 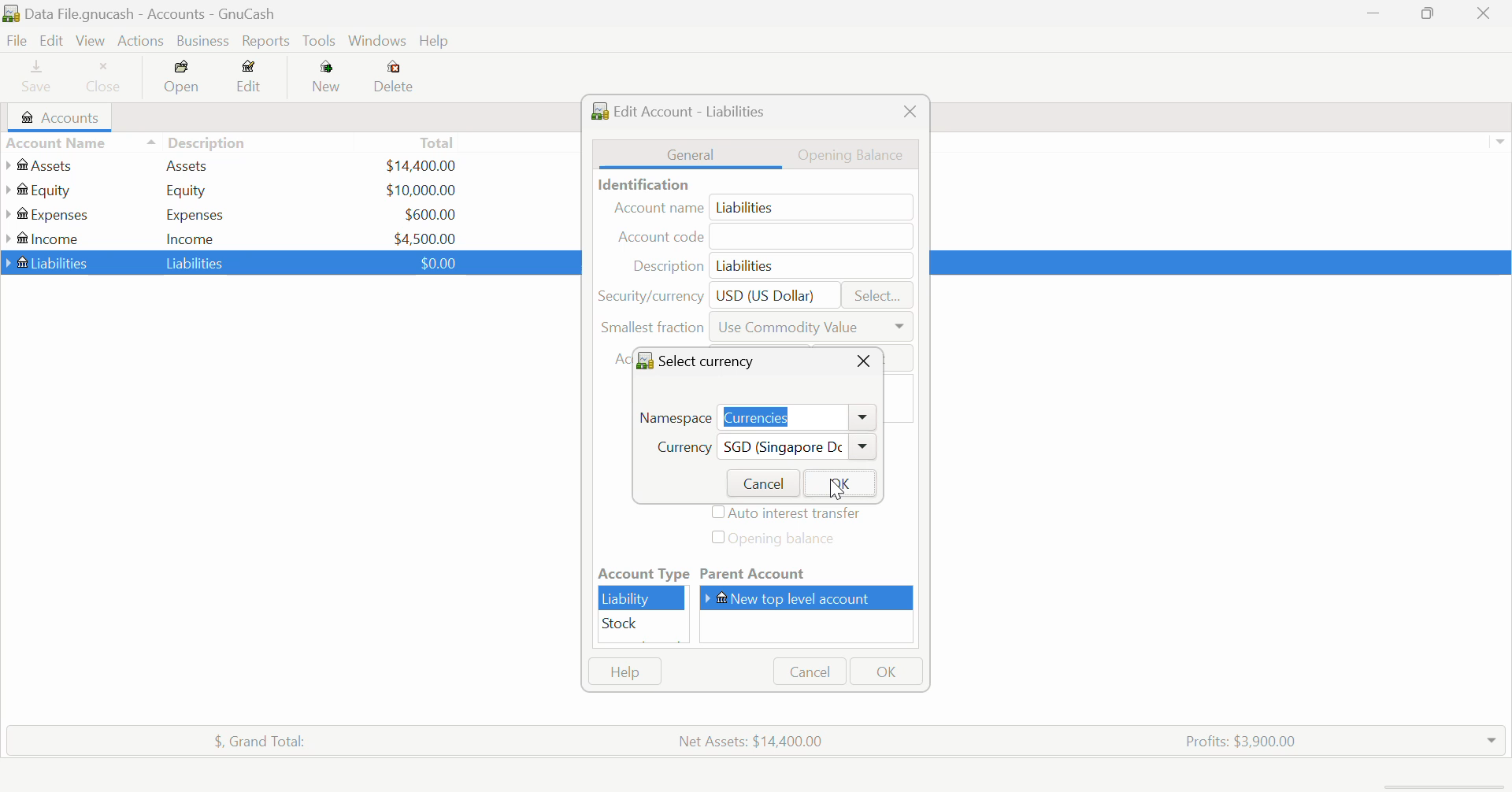 I want to click on Currency: SGD (Singapore Dollar), so click(x=758, y=450).